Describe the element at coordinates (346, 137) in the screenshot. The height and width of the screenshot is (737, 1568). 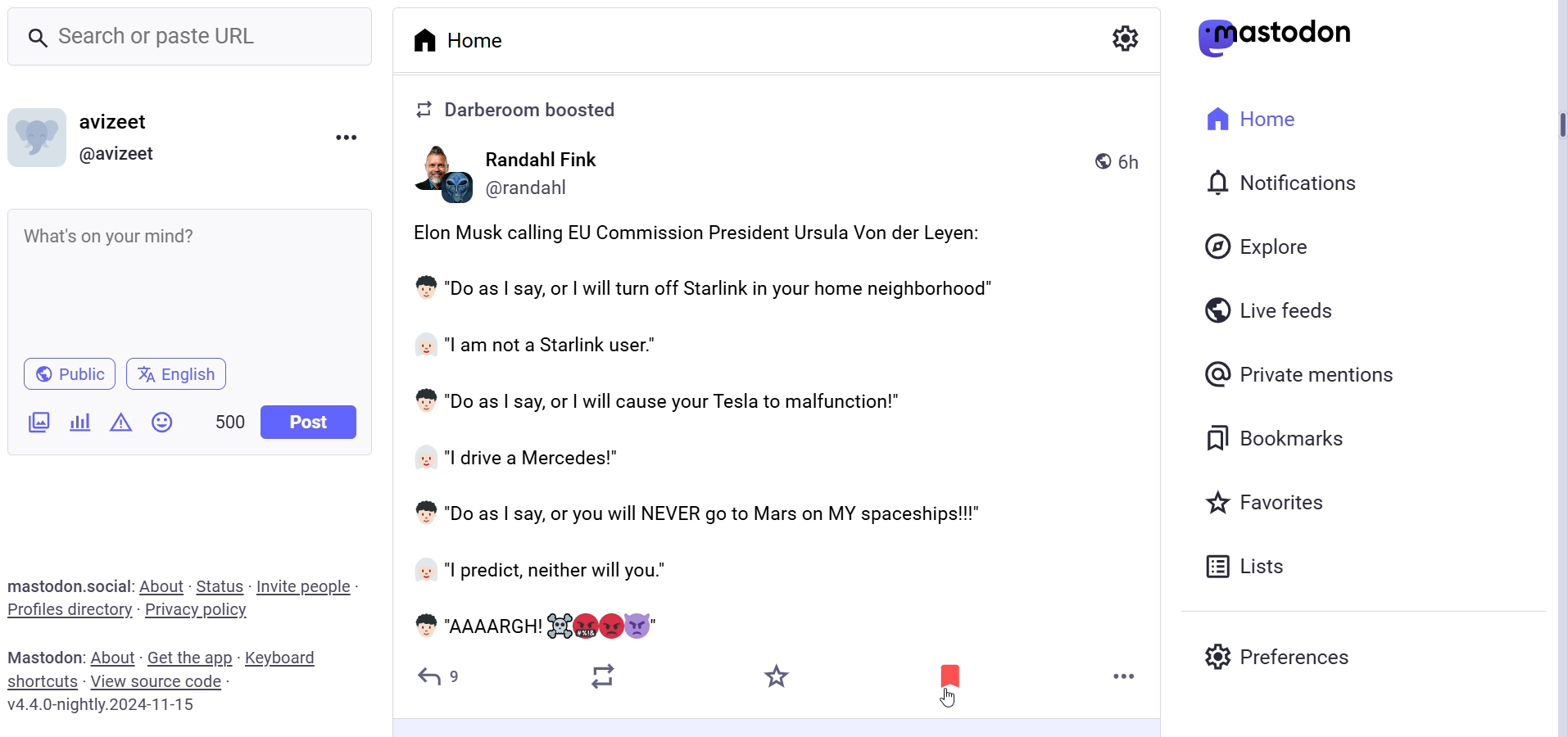
I see `Menu` at that location.